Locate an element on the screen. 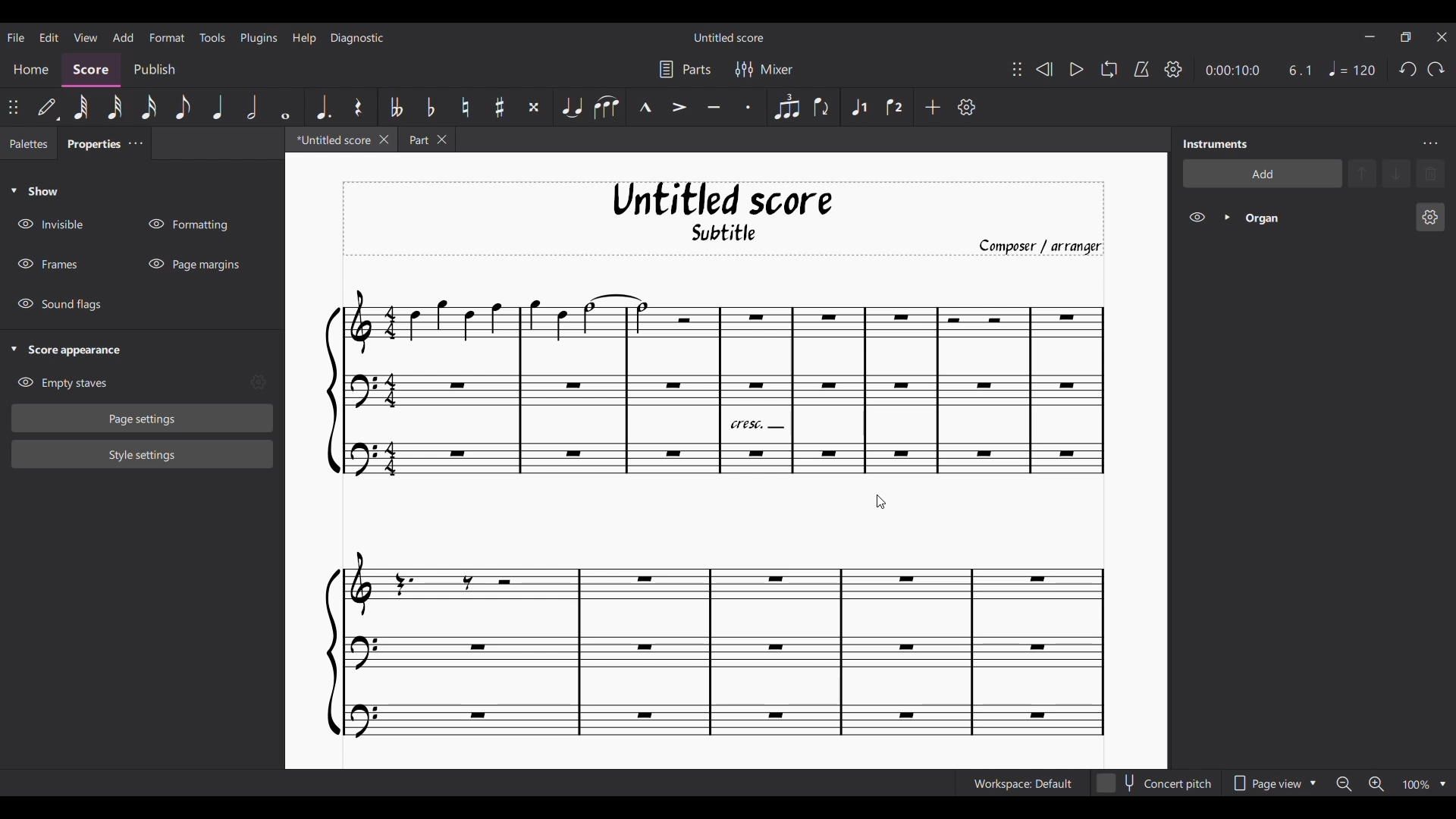 The width and height of the screenshot is (1456, 819). Current tab is located at coordinates (331, 140).